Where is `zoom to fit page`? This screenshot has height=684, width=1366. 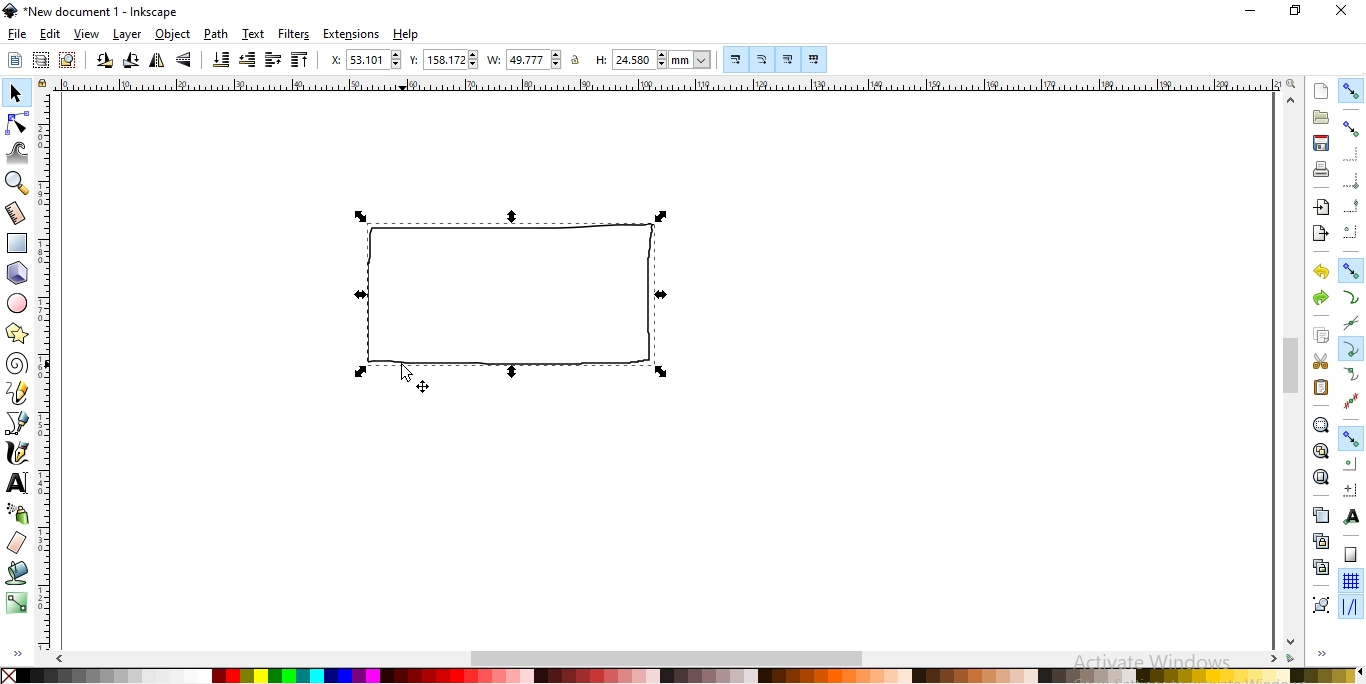
zoom to fit page is located at coordinates (1322, 477).